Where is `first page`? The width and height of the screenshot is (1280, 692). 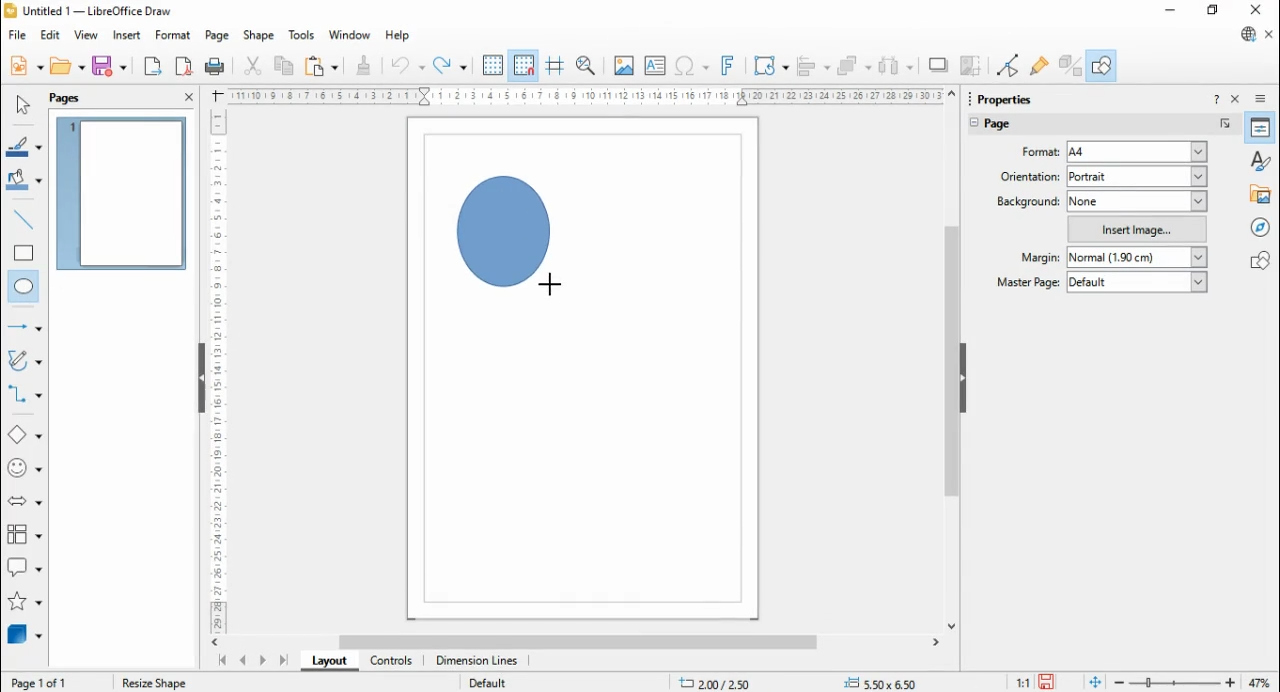
first page is located at coordinates (221, 661).